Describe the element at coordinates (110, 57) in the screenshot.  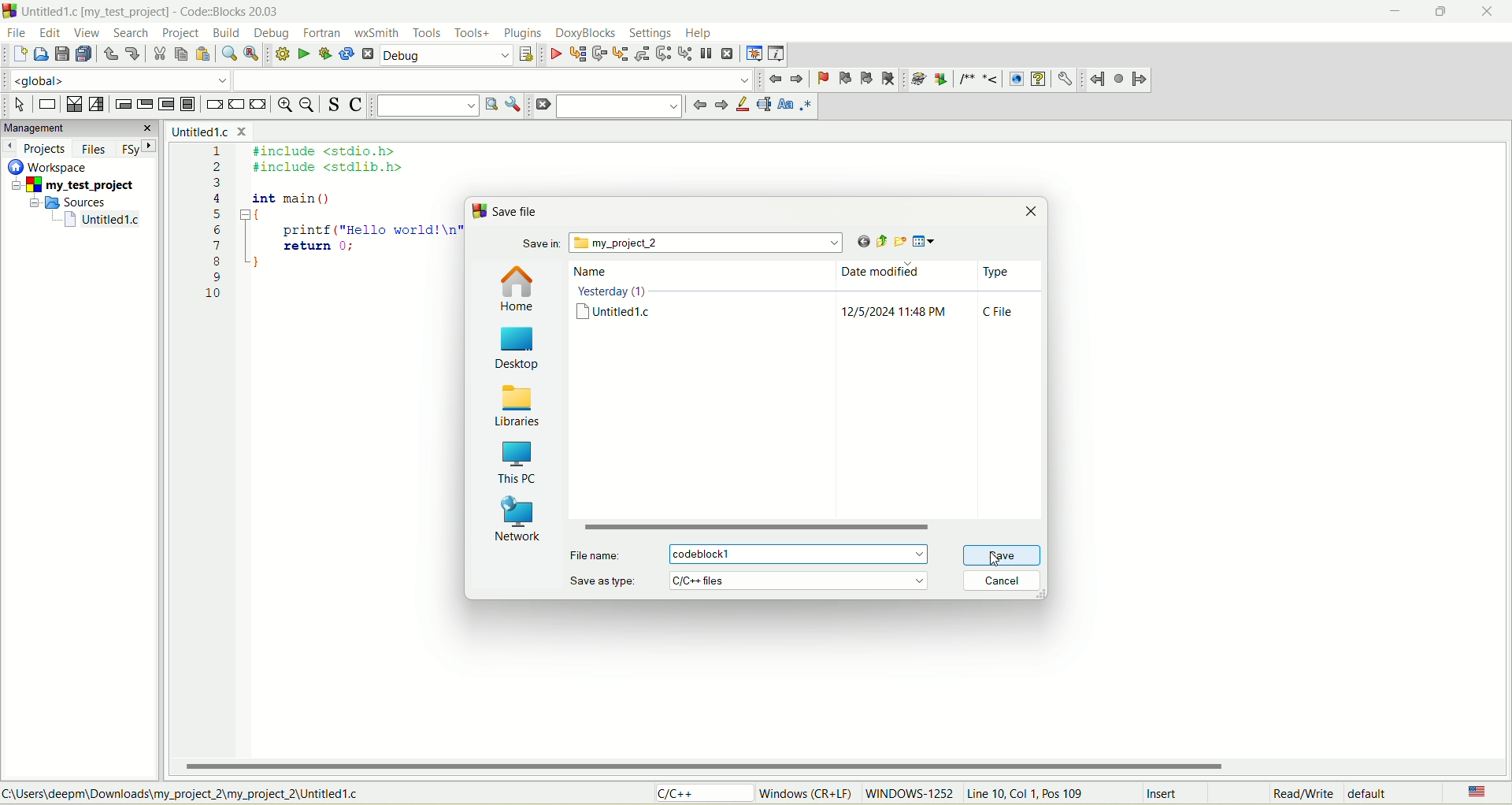
I see `undo` at that location.